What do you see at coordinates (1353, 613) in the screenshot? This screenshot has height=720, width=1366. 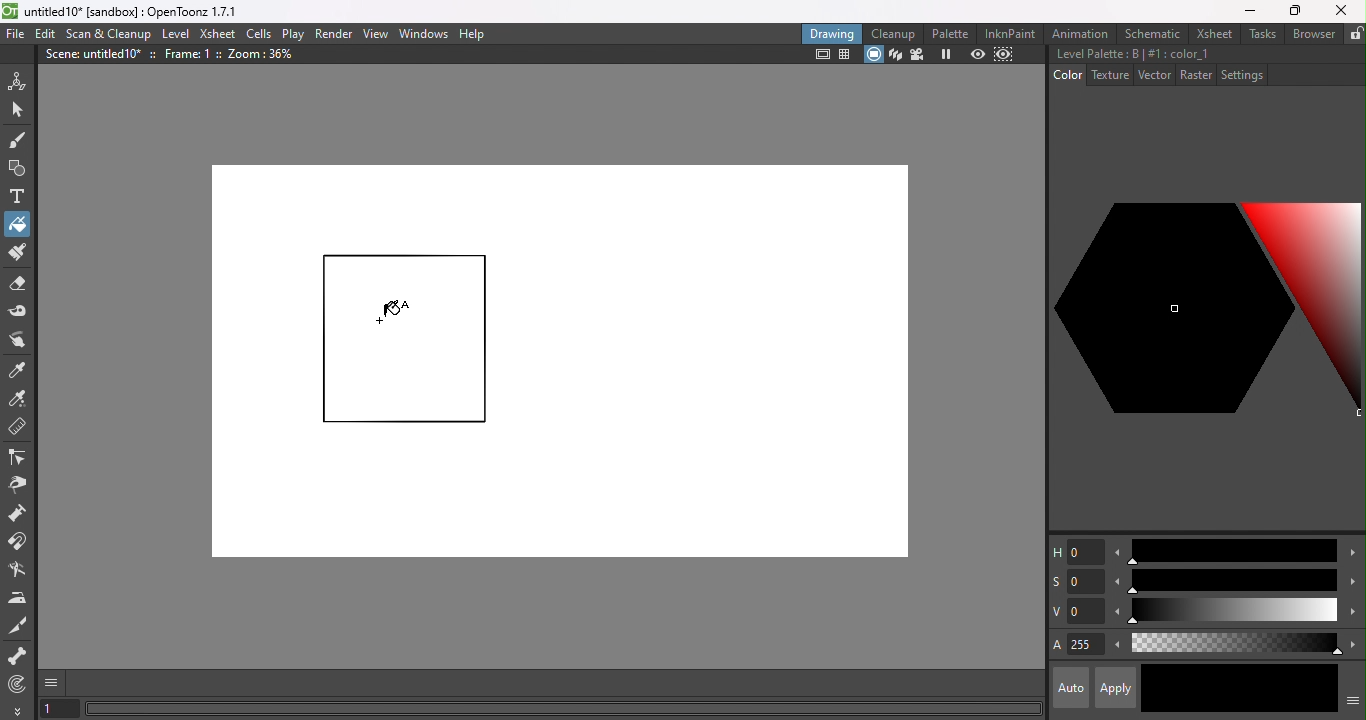 I see `Increase` at bounding box center [1353, 613].